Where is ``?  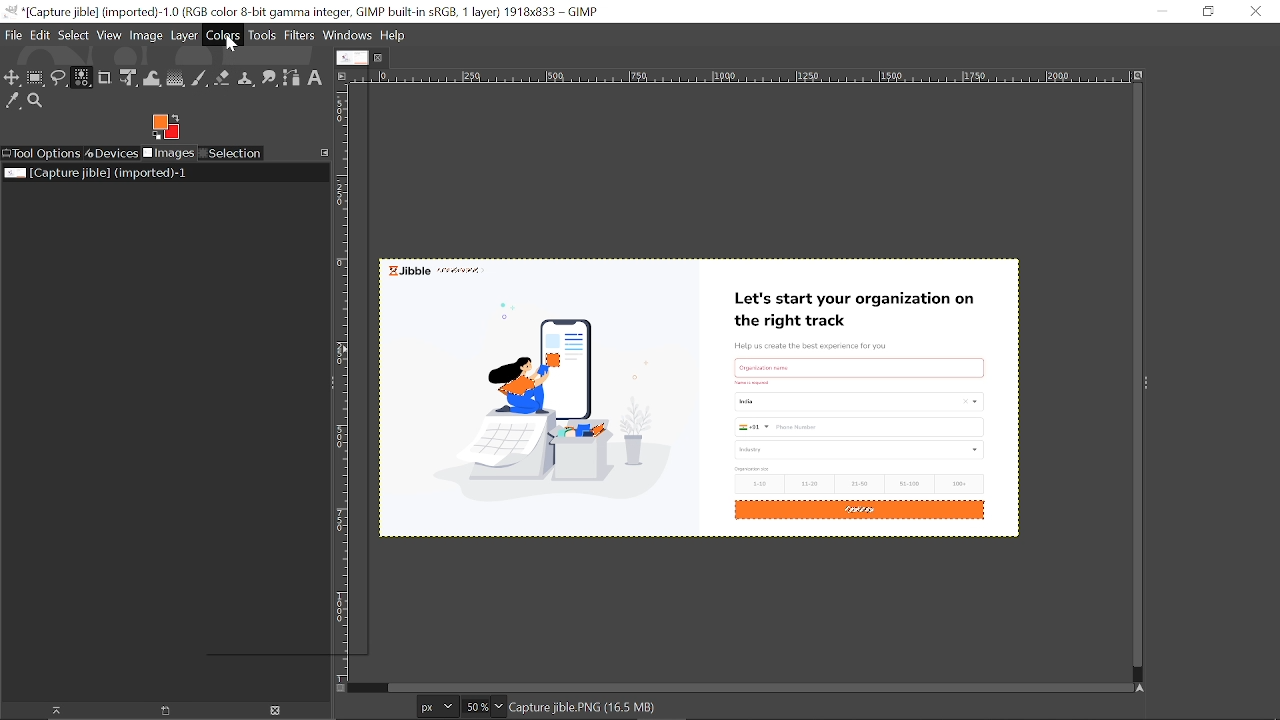  is located at coordinates (264, 36).